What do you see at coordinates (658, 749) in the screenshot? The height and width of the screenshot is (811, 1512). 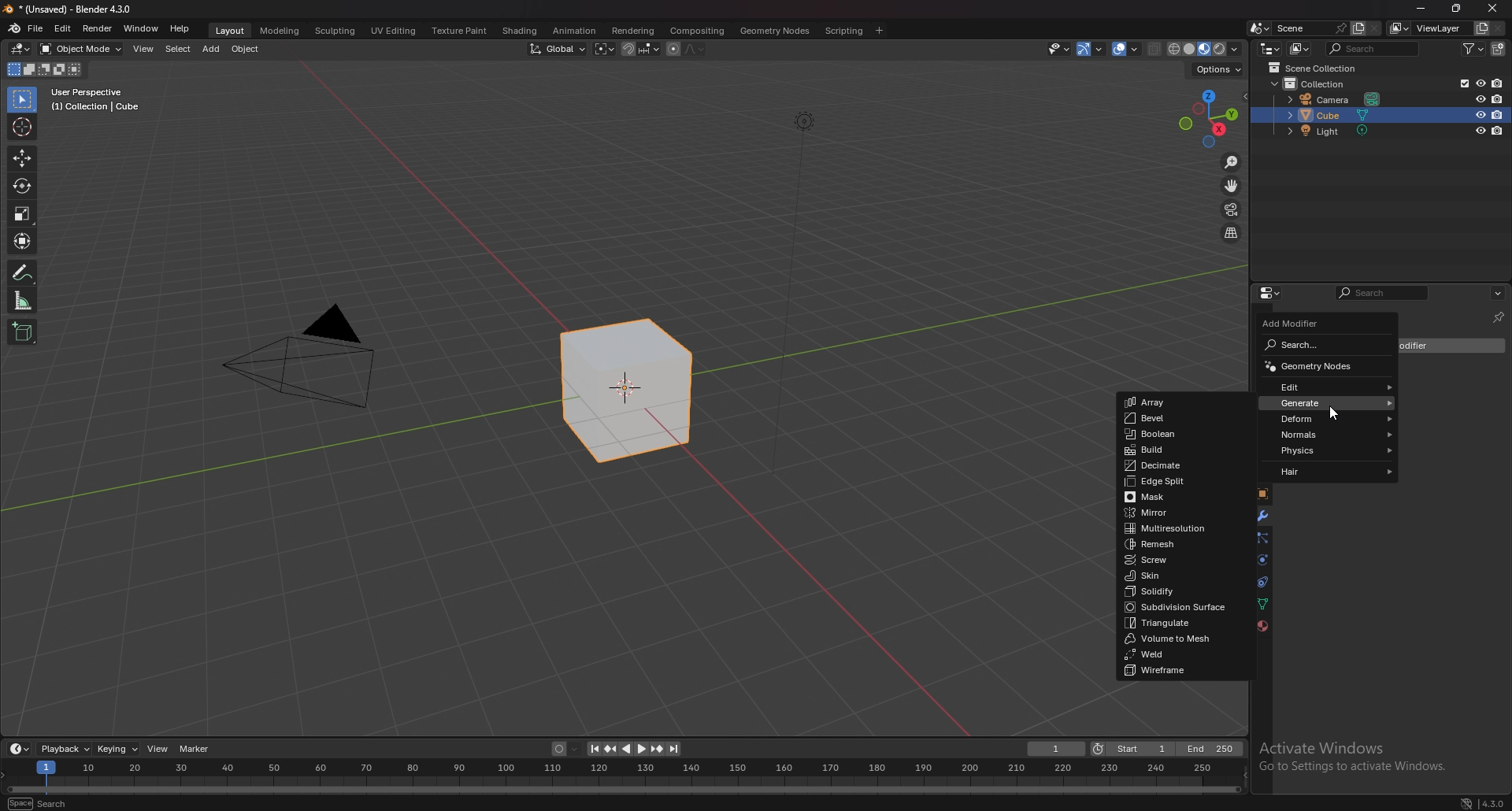 I see `jump to keyframe` at bounding box center [658, 749].